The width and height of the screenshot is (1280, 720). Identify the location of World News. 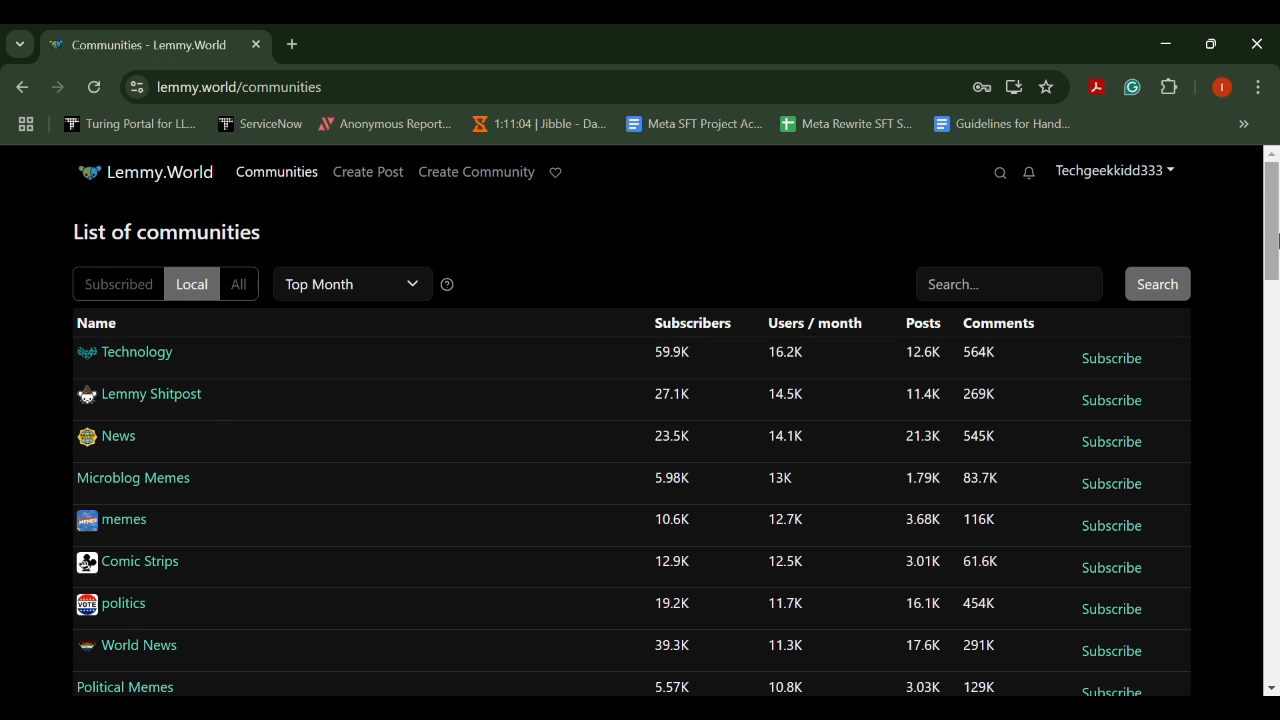
(130, 649).